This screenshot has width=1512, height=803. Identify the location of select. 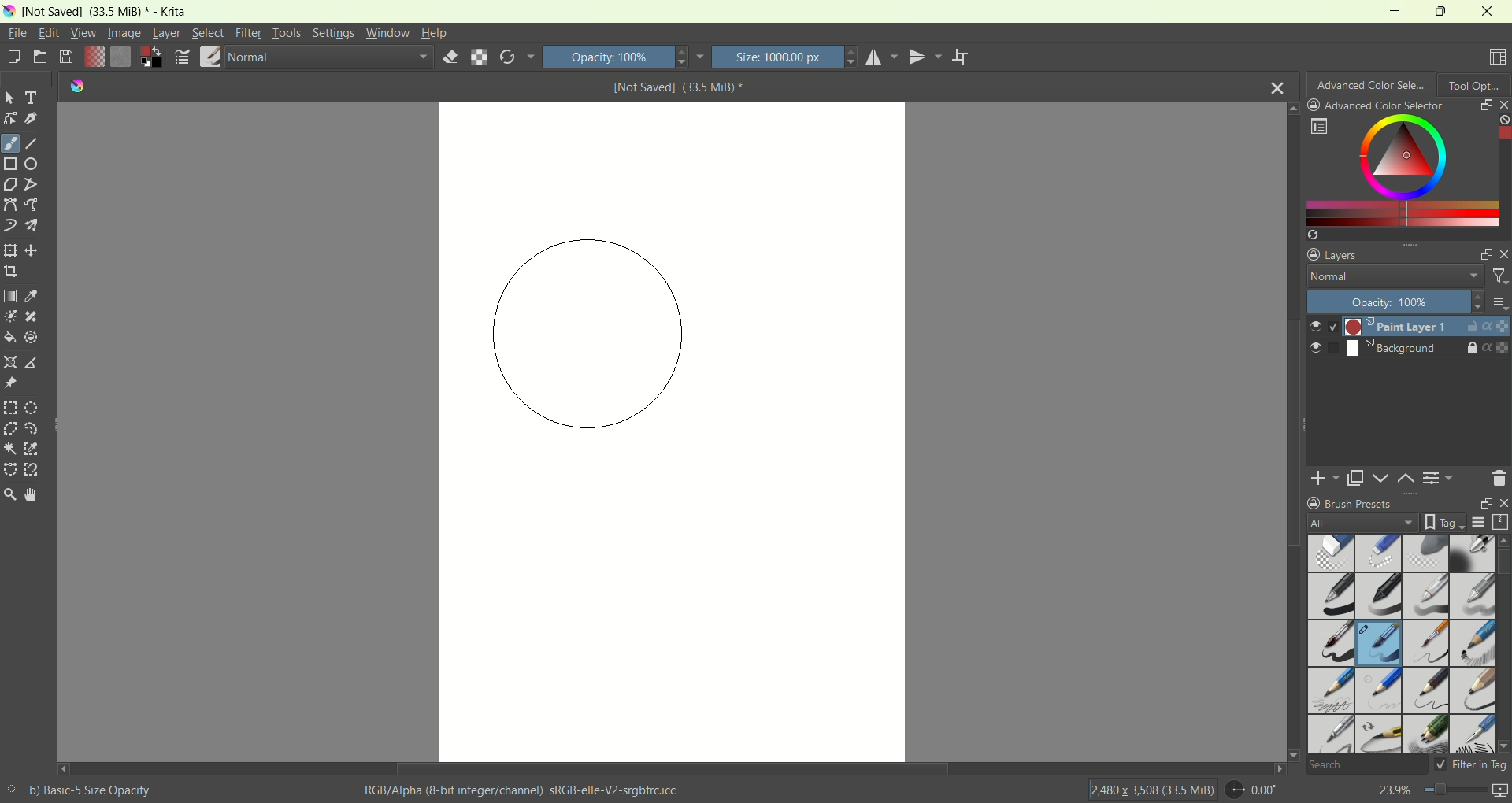
(206, 32).